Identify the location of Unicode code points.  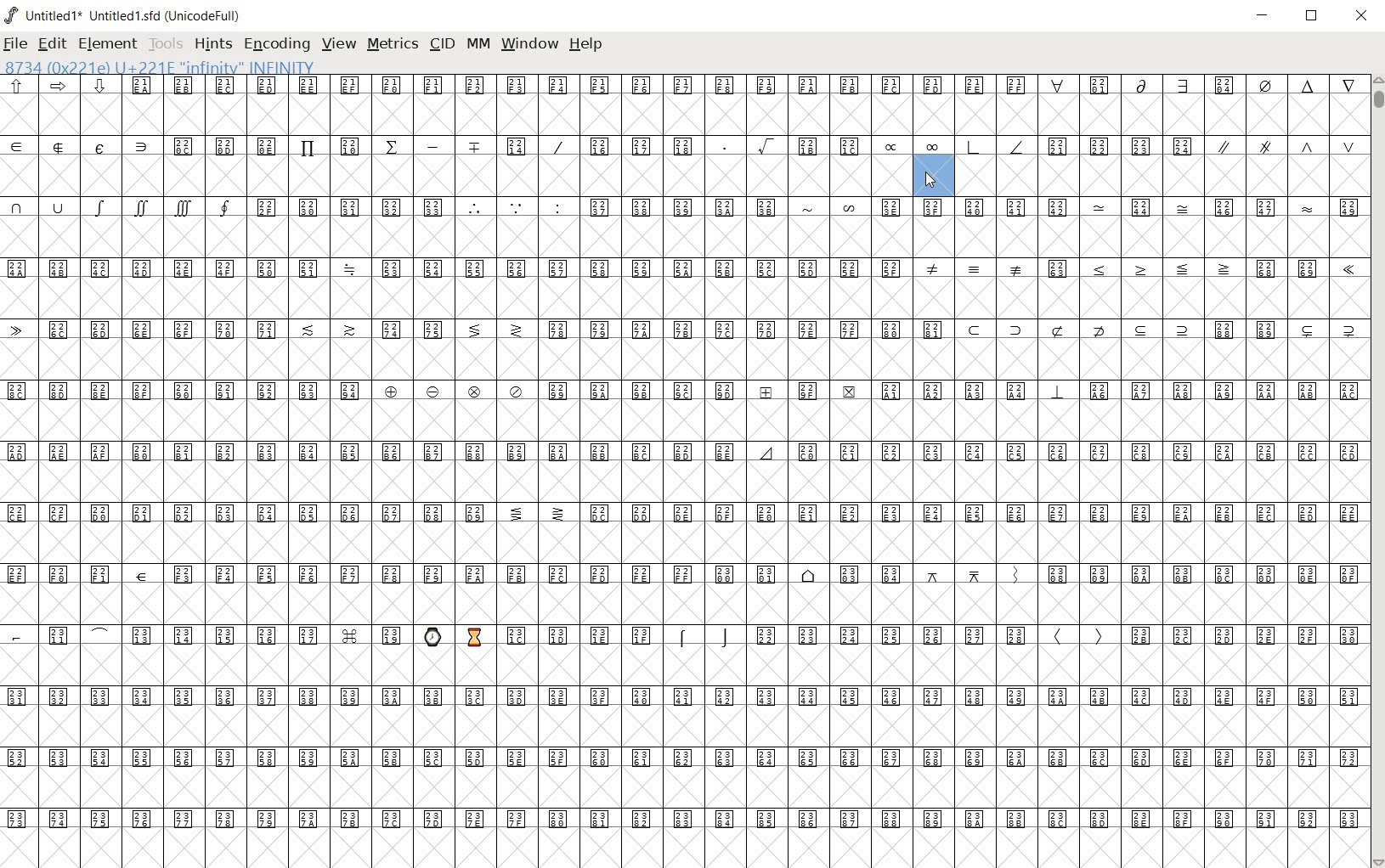
(684, 696).